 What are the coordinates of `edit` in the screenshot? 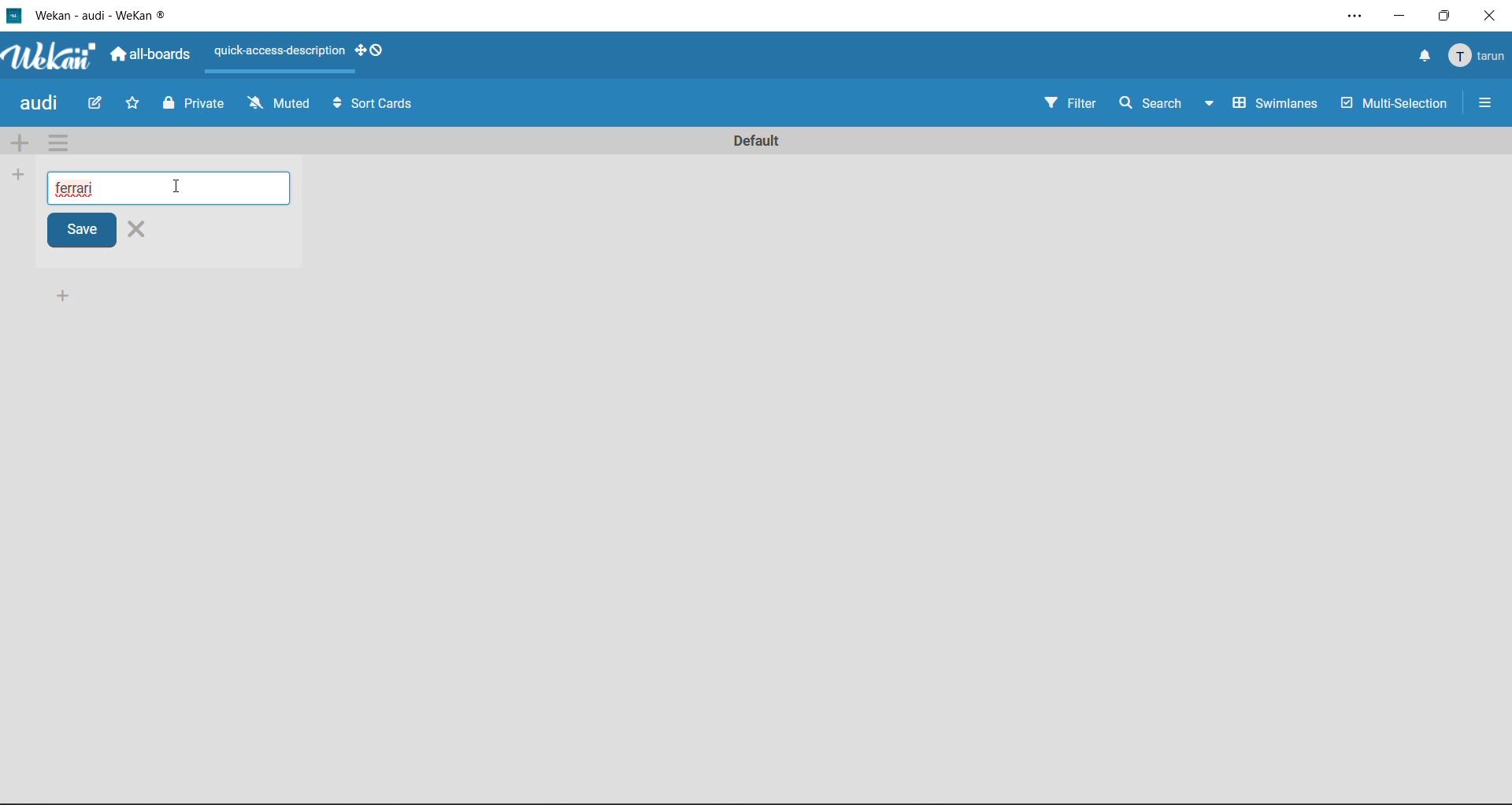 It's located at (98, 106).